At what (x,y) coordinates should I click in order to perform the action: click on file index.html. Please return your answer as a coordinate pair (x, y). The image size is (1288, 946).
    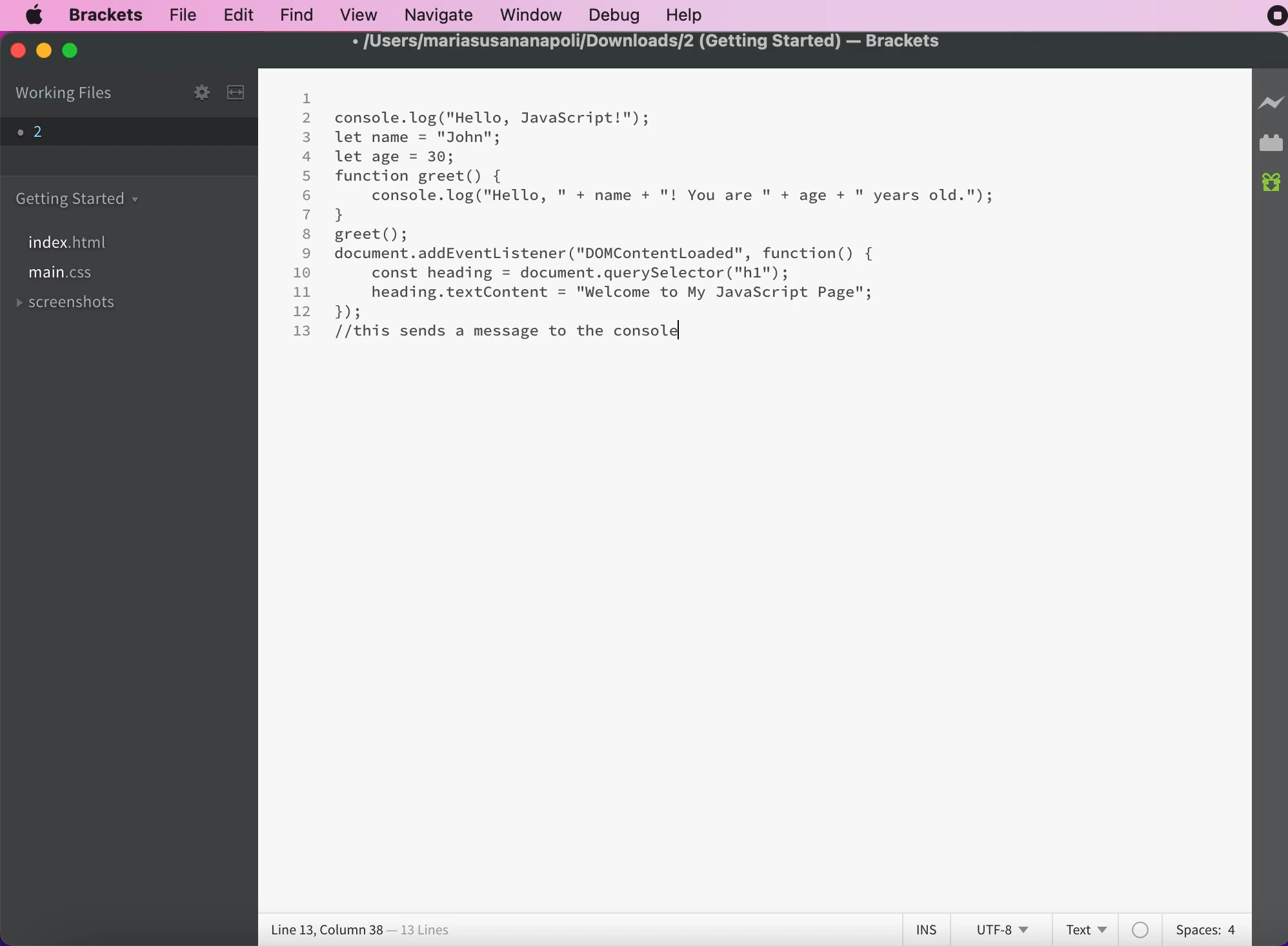
    Looking at the image, I should click on (72, 241).